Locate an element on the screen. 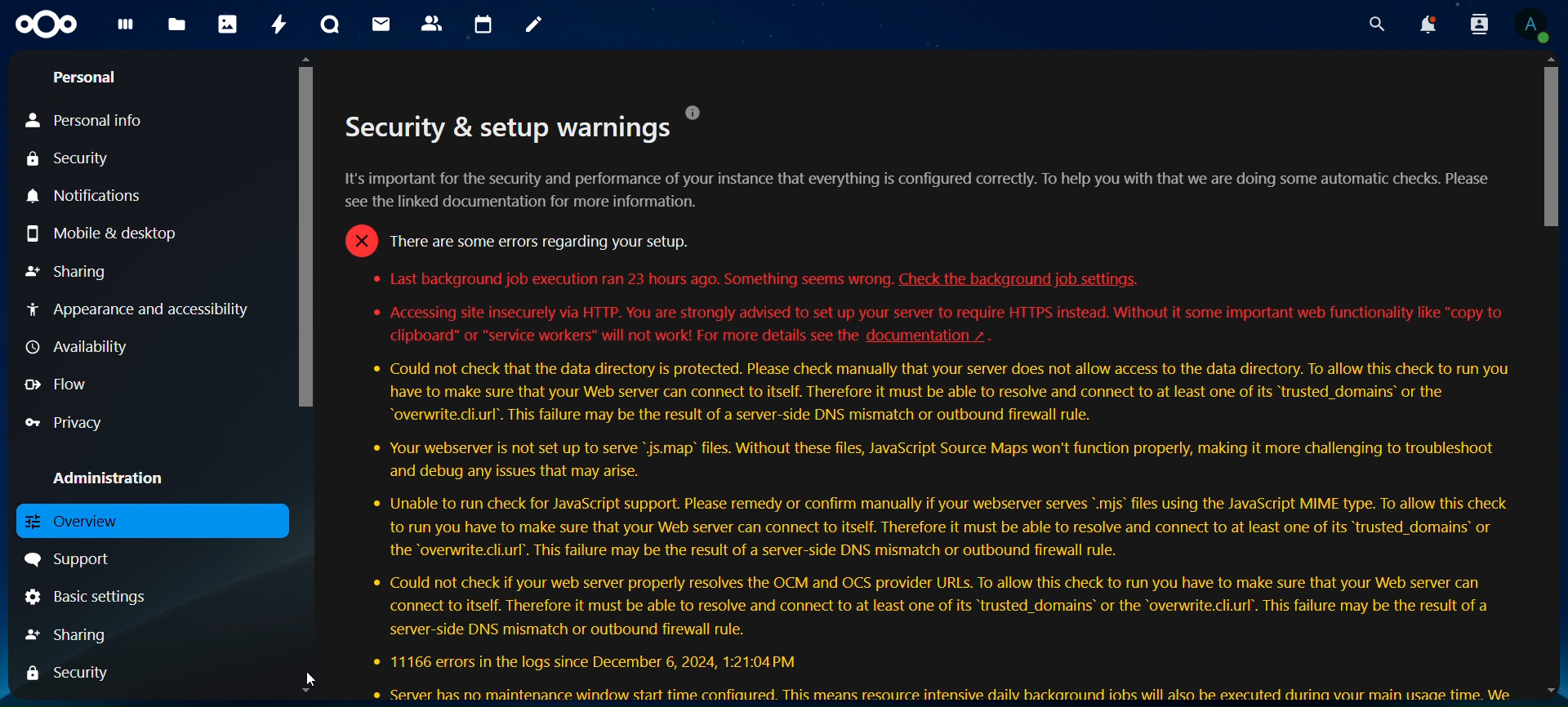 The image size is (1568, 707). notifications is located at coordinates (88, 194).